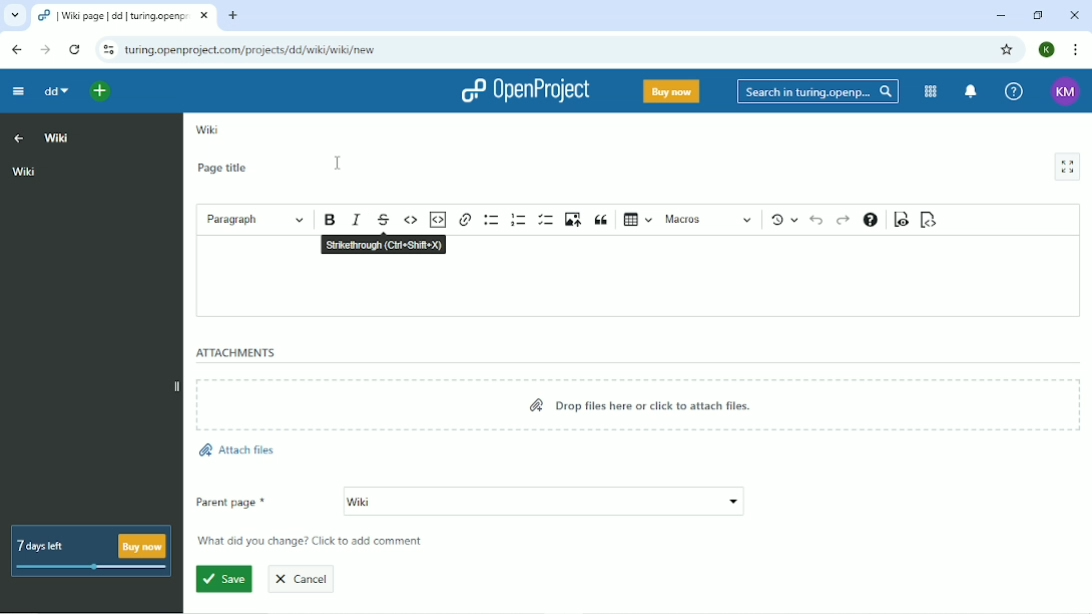  I want to click on Minimize, so click(1002, 15).